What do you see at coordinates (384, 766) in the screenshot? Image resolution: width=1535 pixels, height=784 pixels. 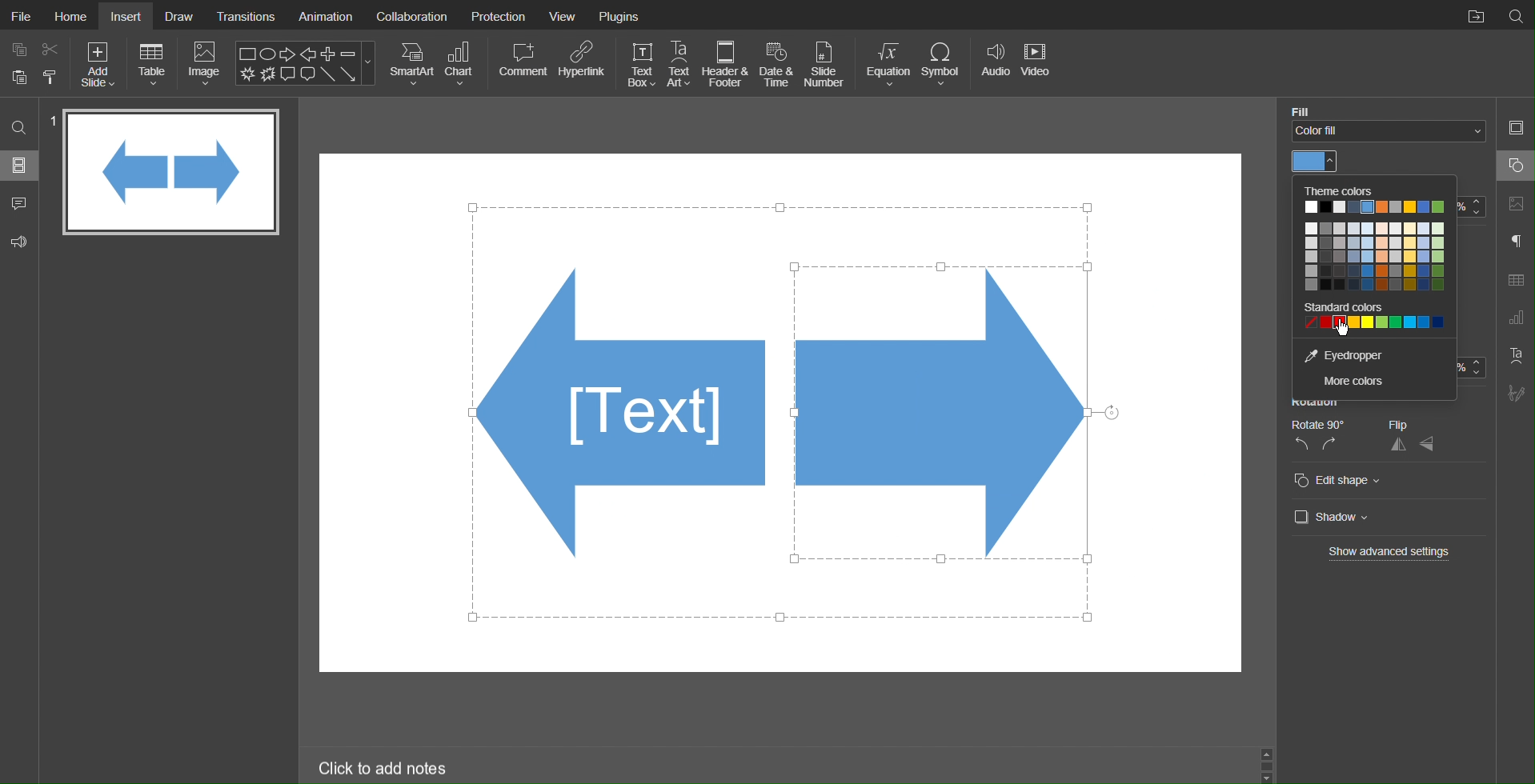 I see `Click to add notes` at bounding box center [384, 766].